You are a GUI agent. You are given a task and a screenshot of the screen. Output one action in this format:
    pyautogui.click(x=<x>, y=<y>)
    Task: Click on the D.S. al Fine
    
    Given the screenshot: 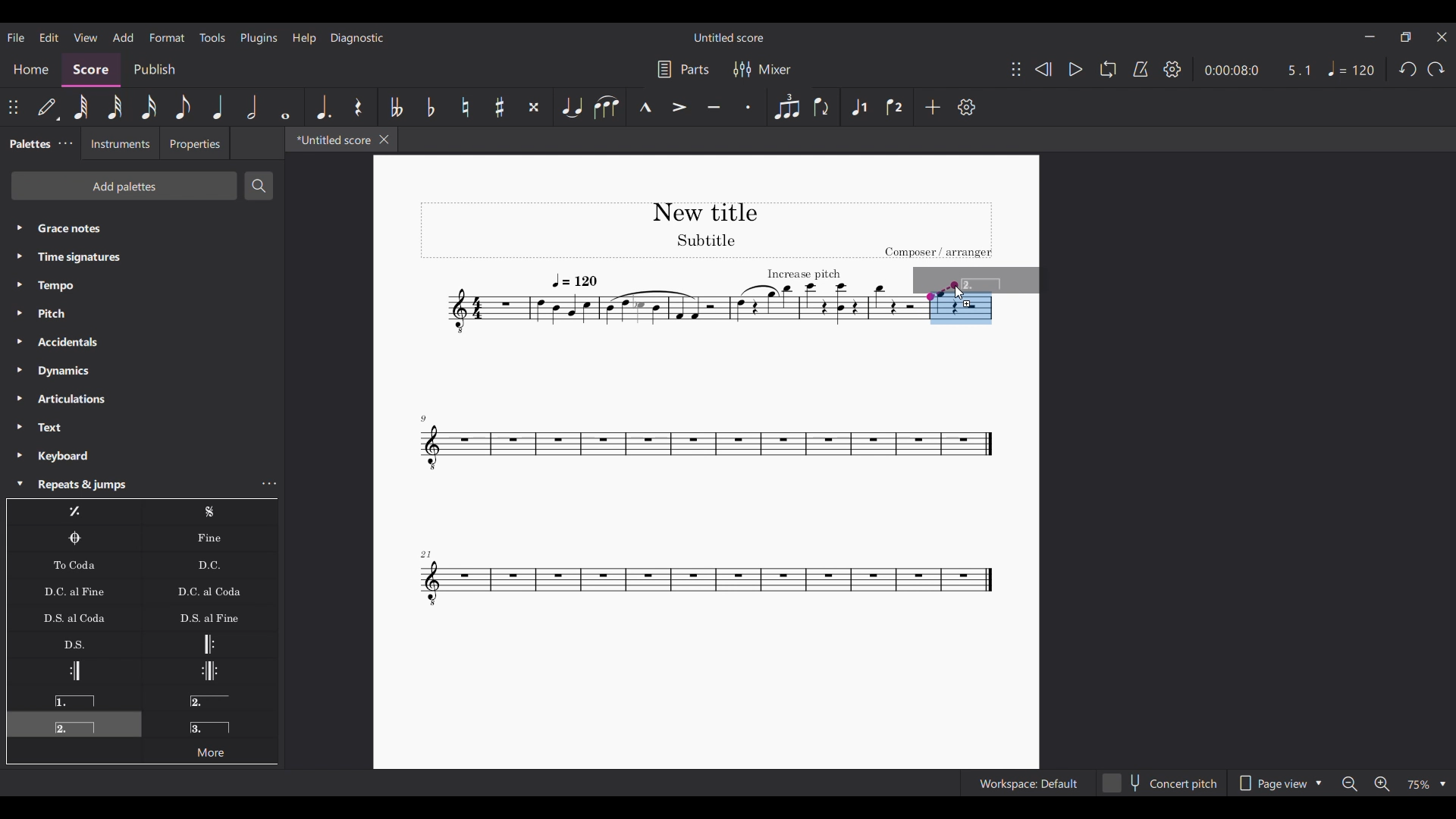 What is the action you would take?
    pyautogui.click(x=209, y=617)
    